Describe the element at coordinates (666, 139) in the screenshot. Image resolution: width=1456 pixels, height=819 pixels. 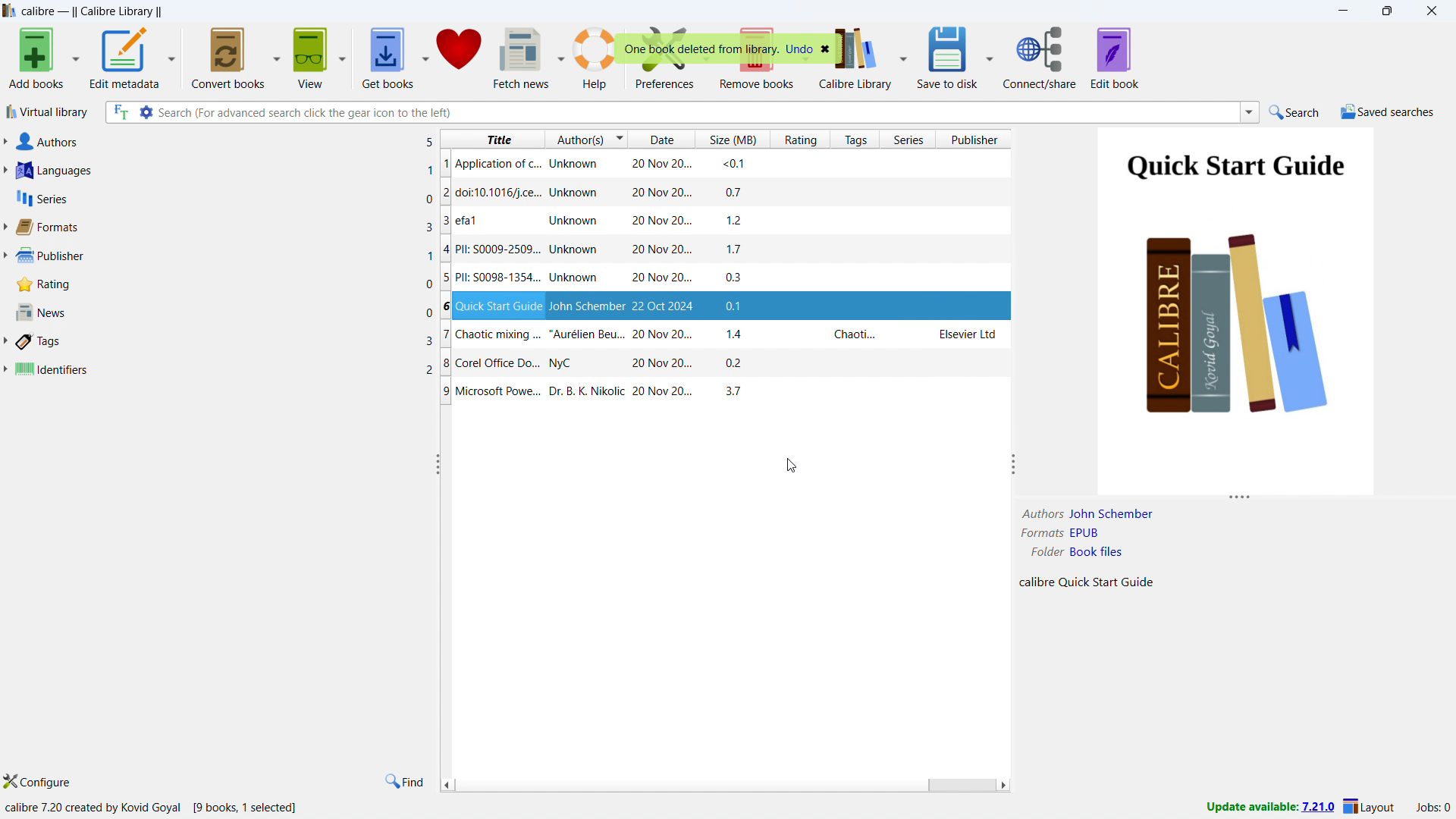
I see `sort by date` at that location.